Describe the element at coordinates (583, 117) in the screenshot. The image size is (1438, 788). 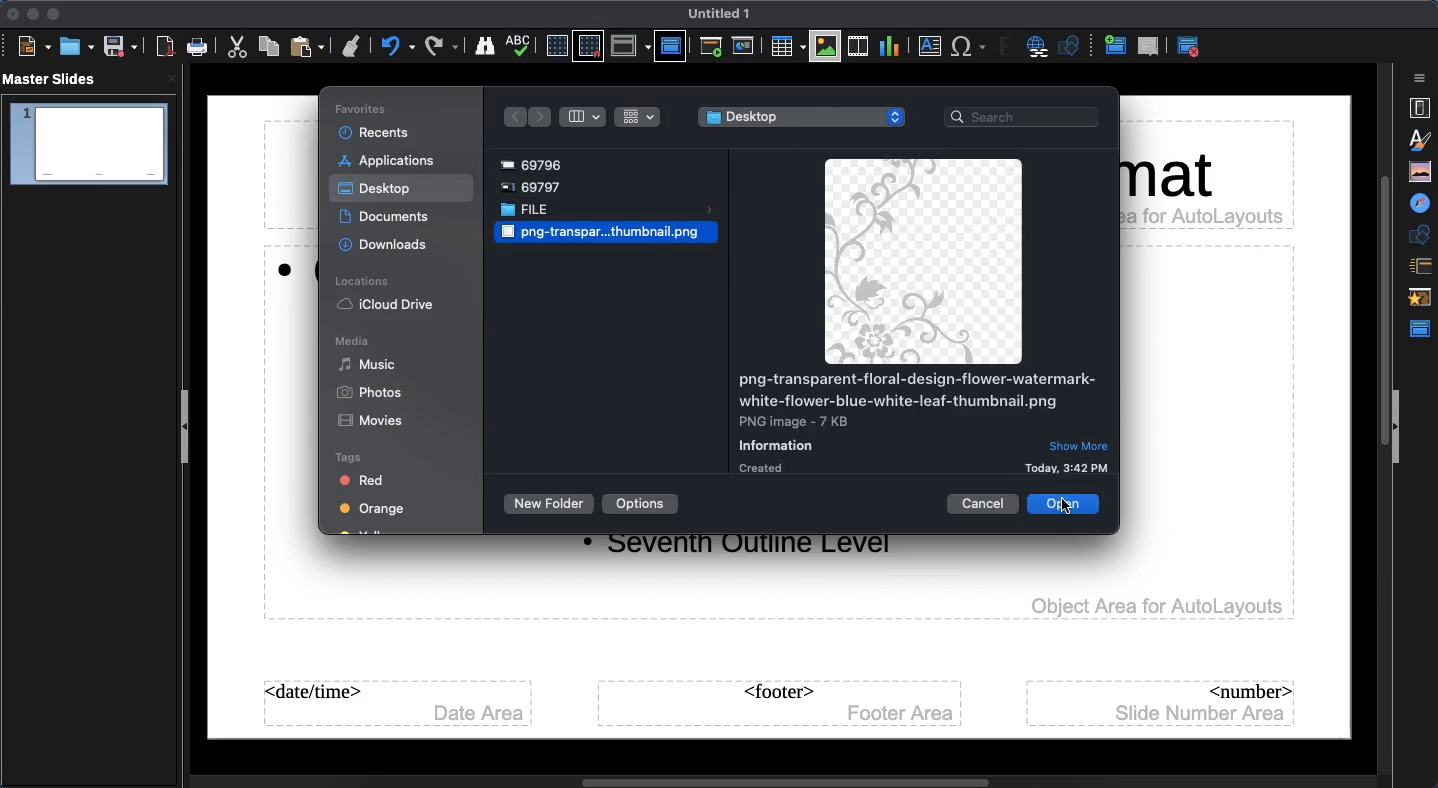
I see `Column` at that location.